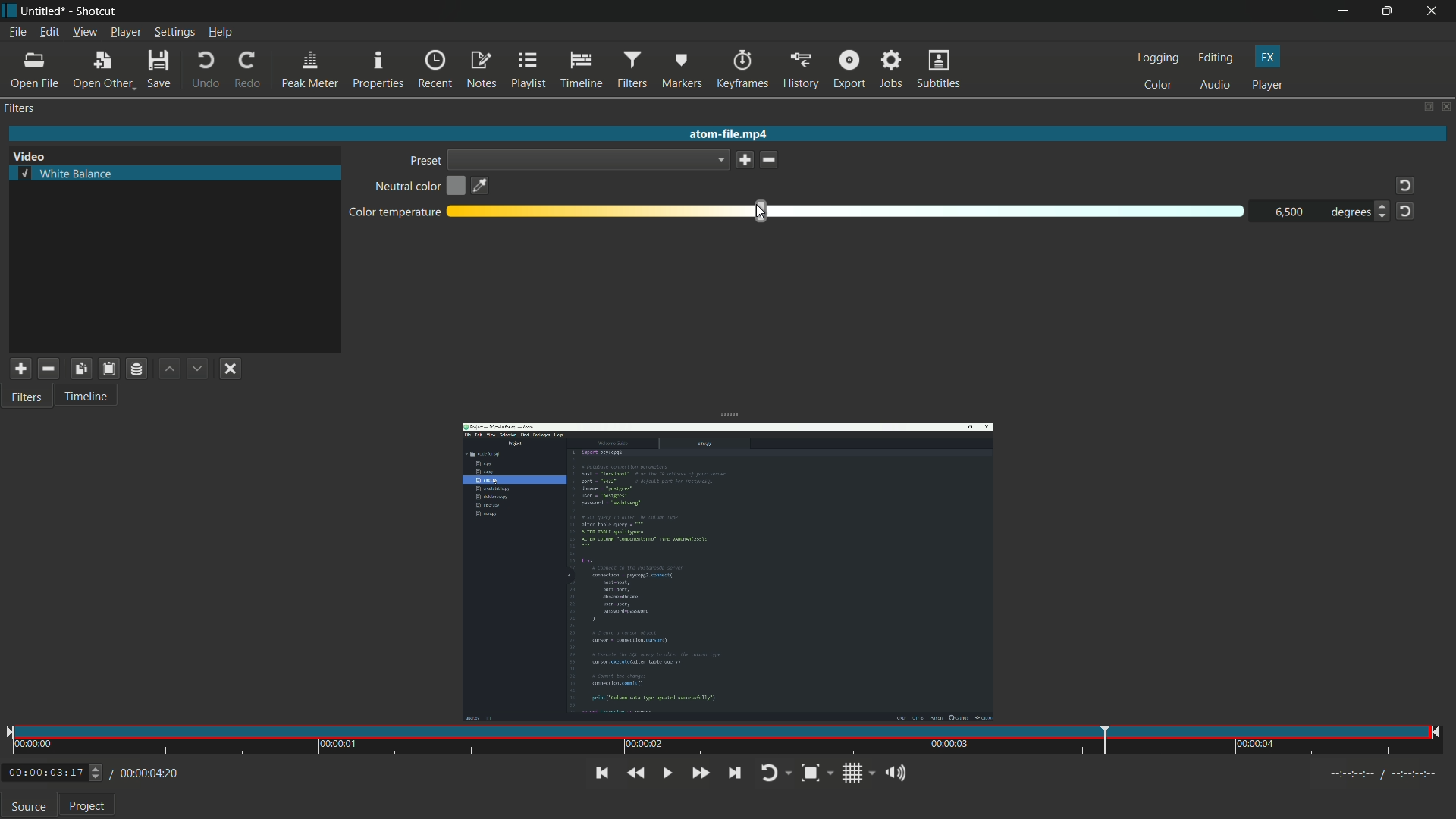 The width and height of the screenshot is (1456, 819). Describe the element at coordinates (599, 772) in the screenshot. I see `skip to previous point` at that location.